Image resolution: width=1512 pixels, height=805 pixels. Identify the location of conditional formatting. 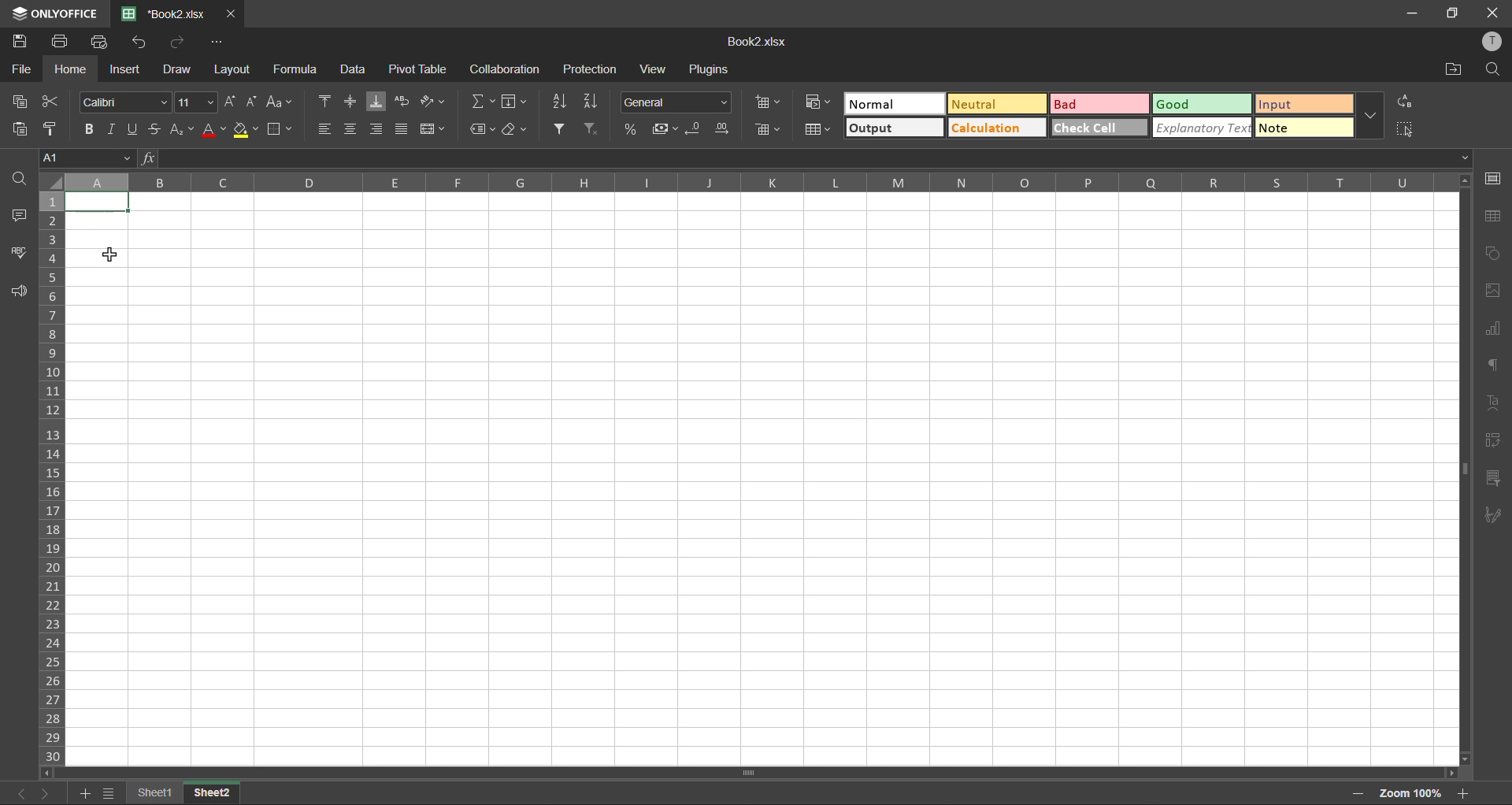
(822, 101).